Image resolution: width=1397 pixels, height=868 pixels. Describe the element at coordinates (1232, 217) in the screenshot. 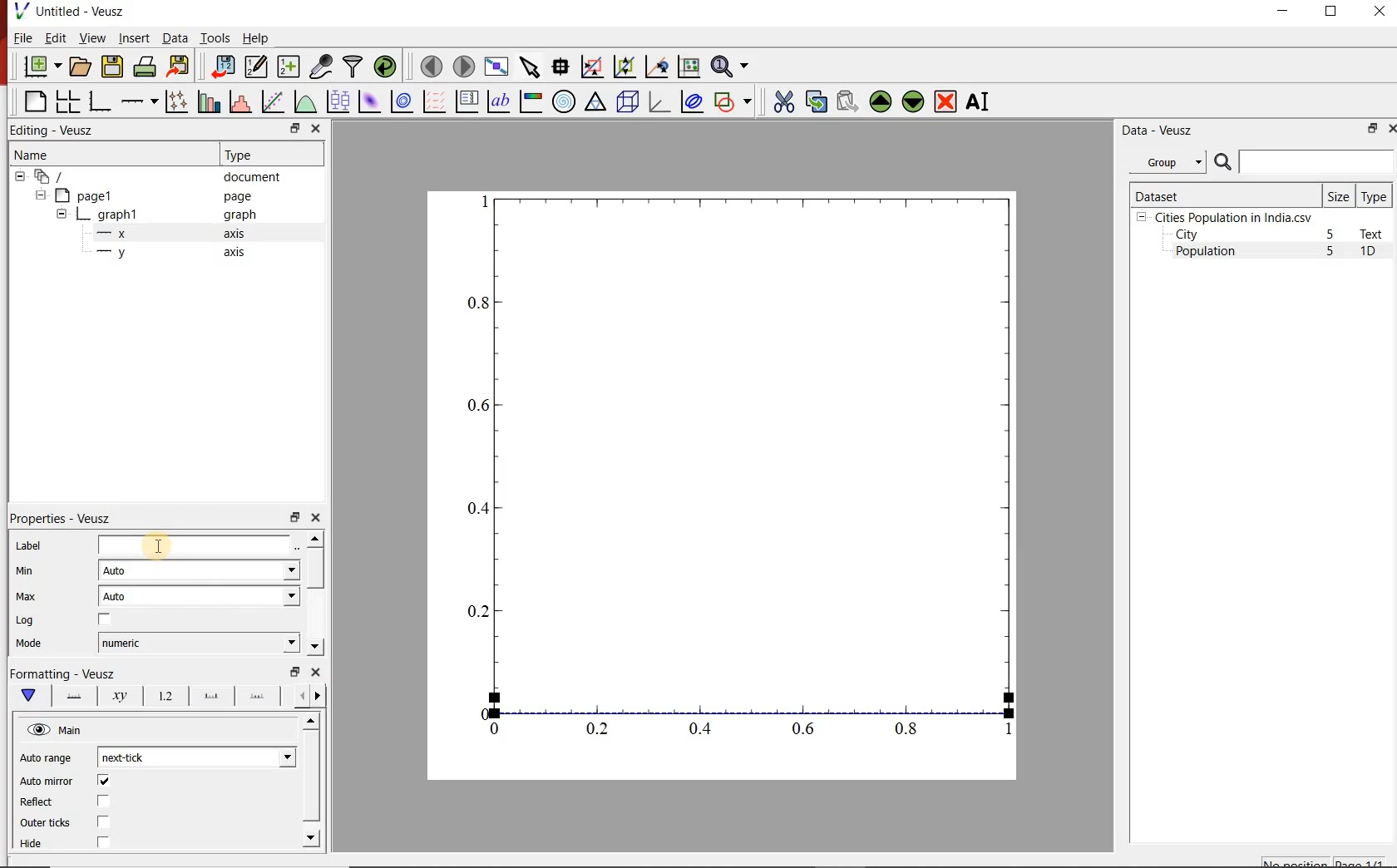

I see `Cities Population in India.csv` at that location.